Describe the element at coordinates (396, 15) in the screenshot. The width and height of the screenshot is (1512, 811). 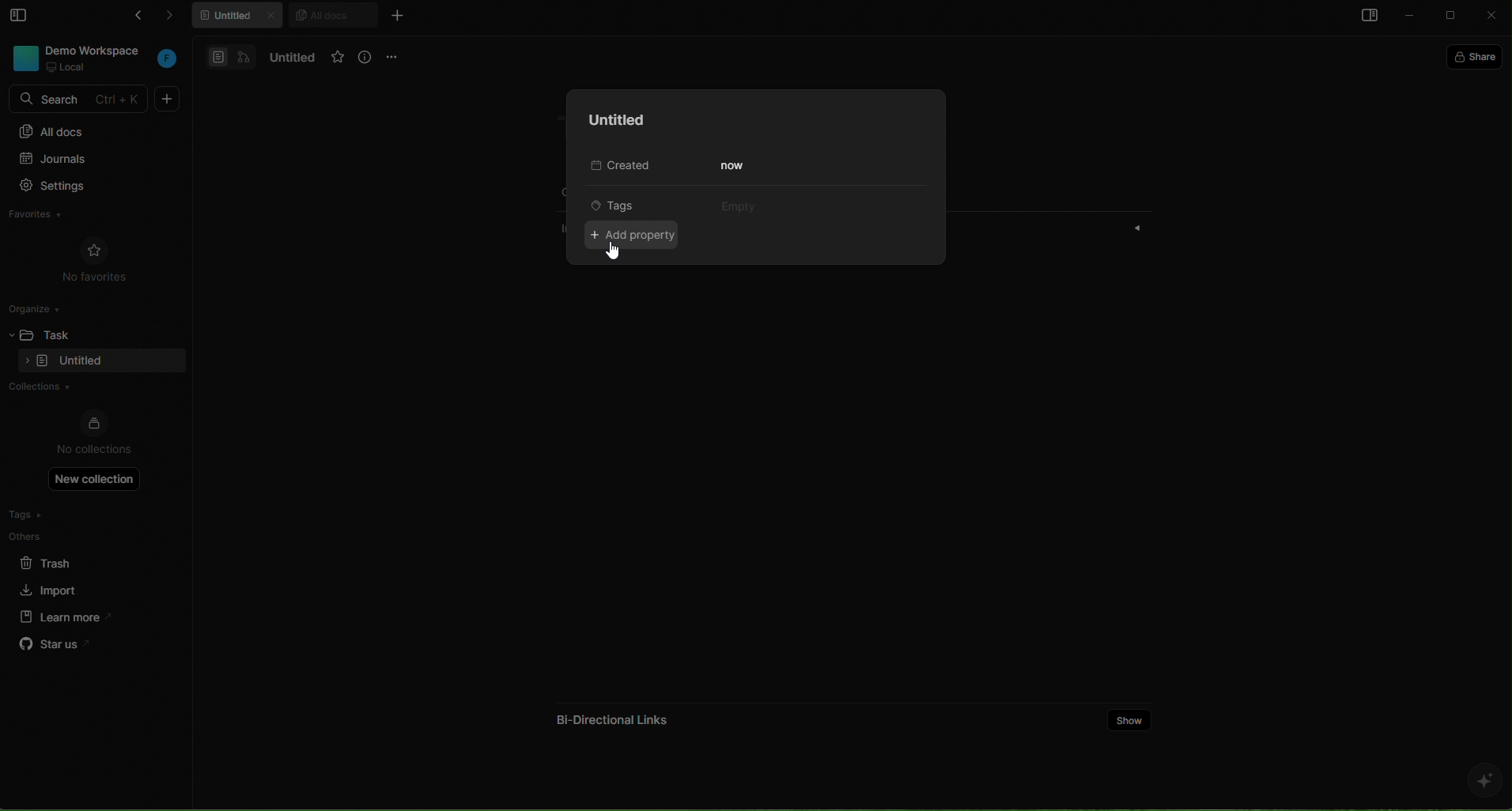
I see `new tab` at that location.